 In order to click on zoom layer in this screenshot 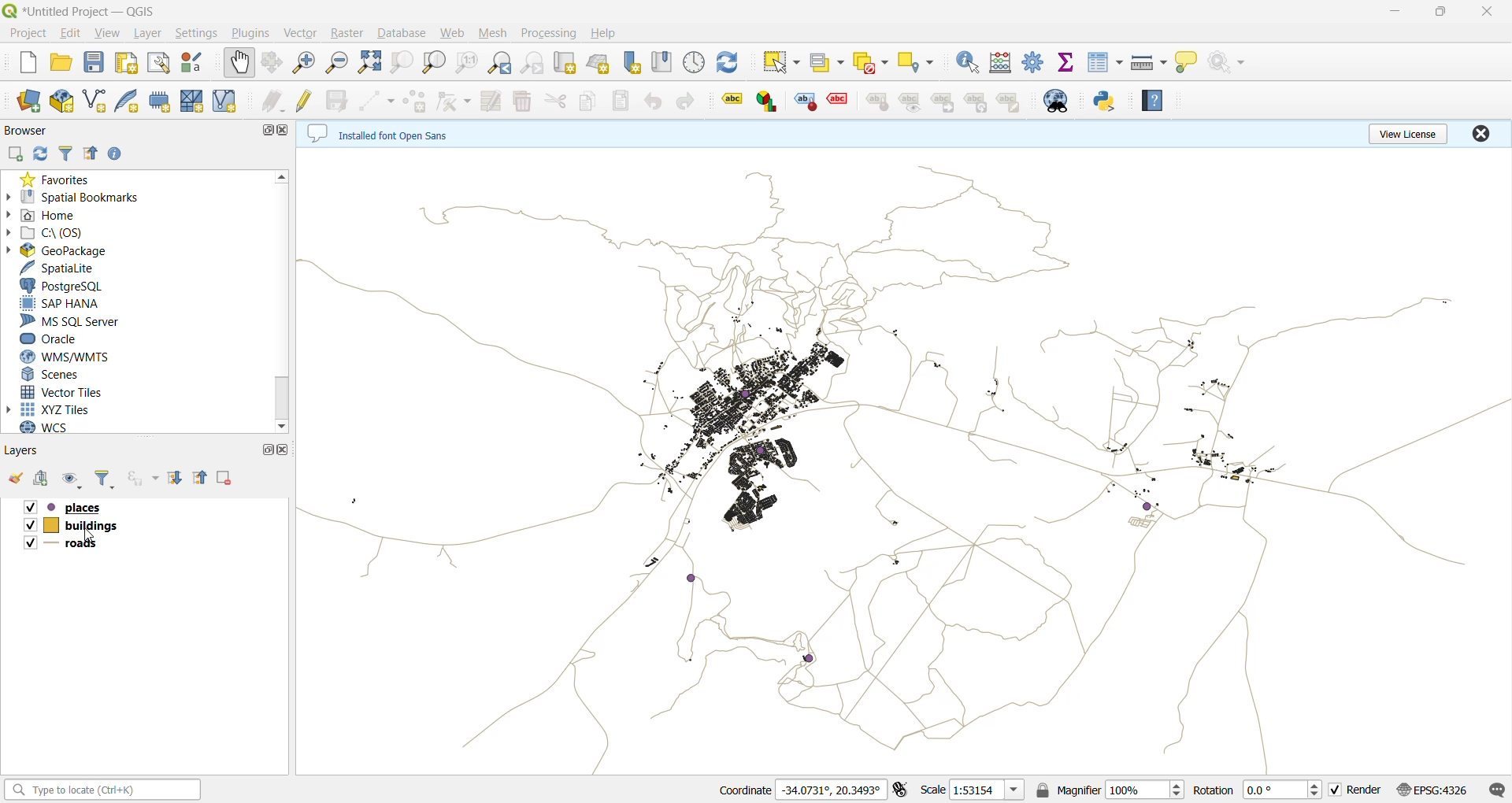, I will do `click(432, 62)`.